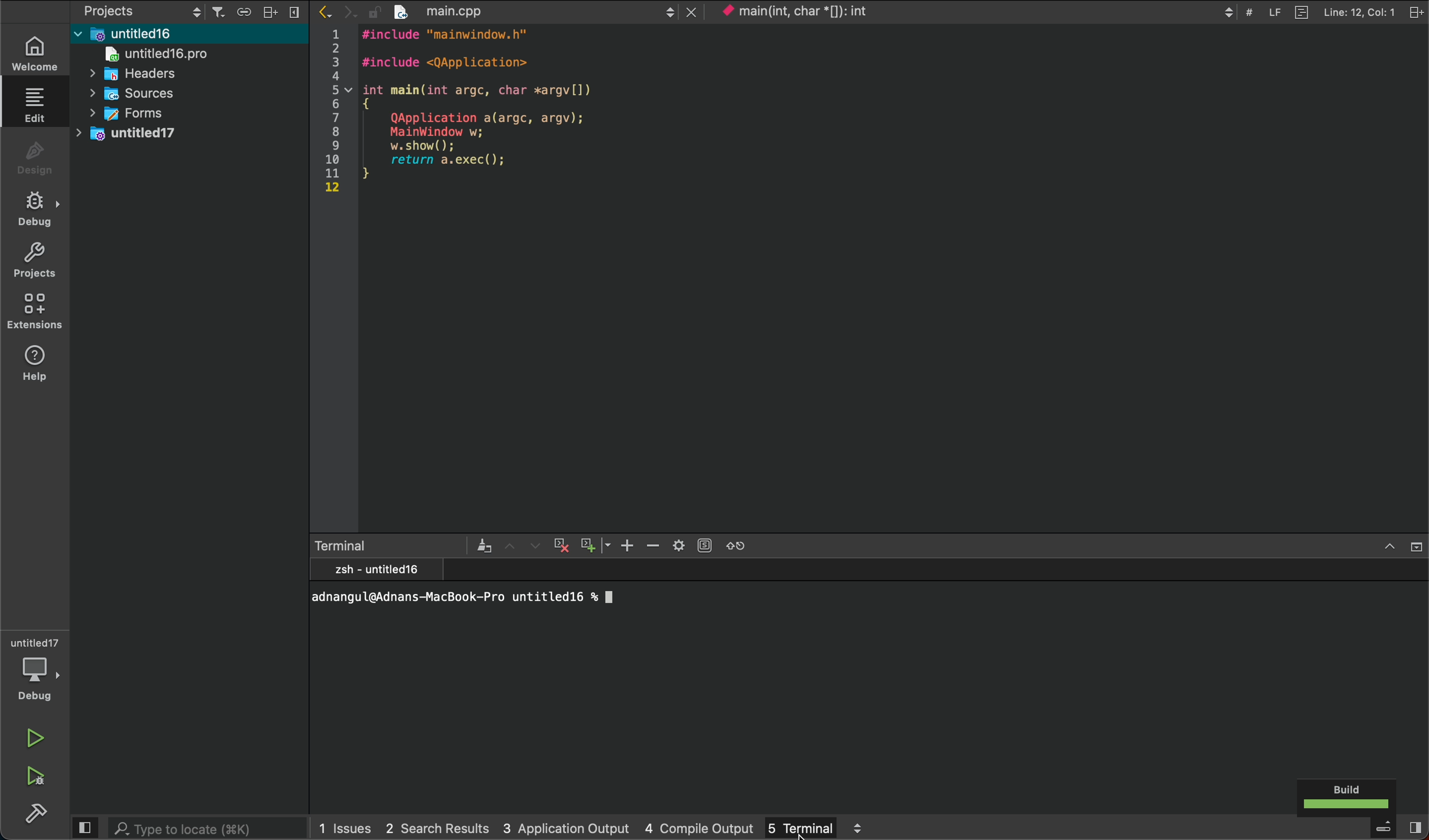  Describe the element at coordinates (487, 111) in the screenshot. I see `#include "mainwindow.h" #include <QApplication>int main(int argc, char *argv[]){QApplication a(argc, argv);MainWindow w;w.show();return a.exec();}` at that location.